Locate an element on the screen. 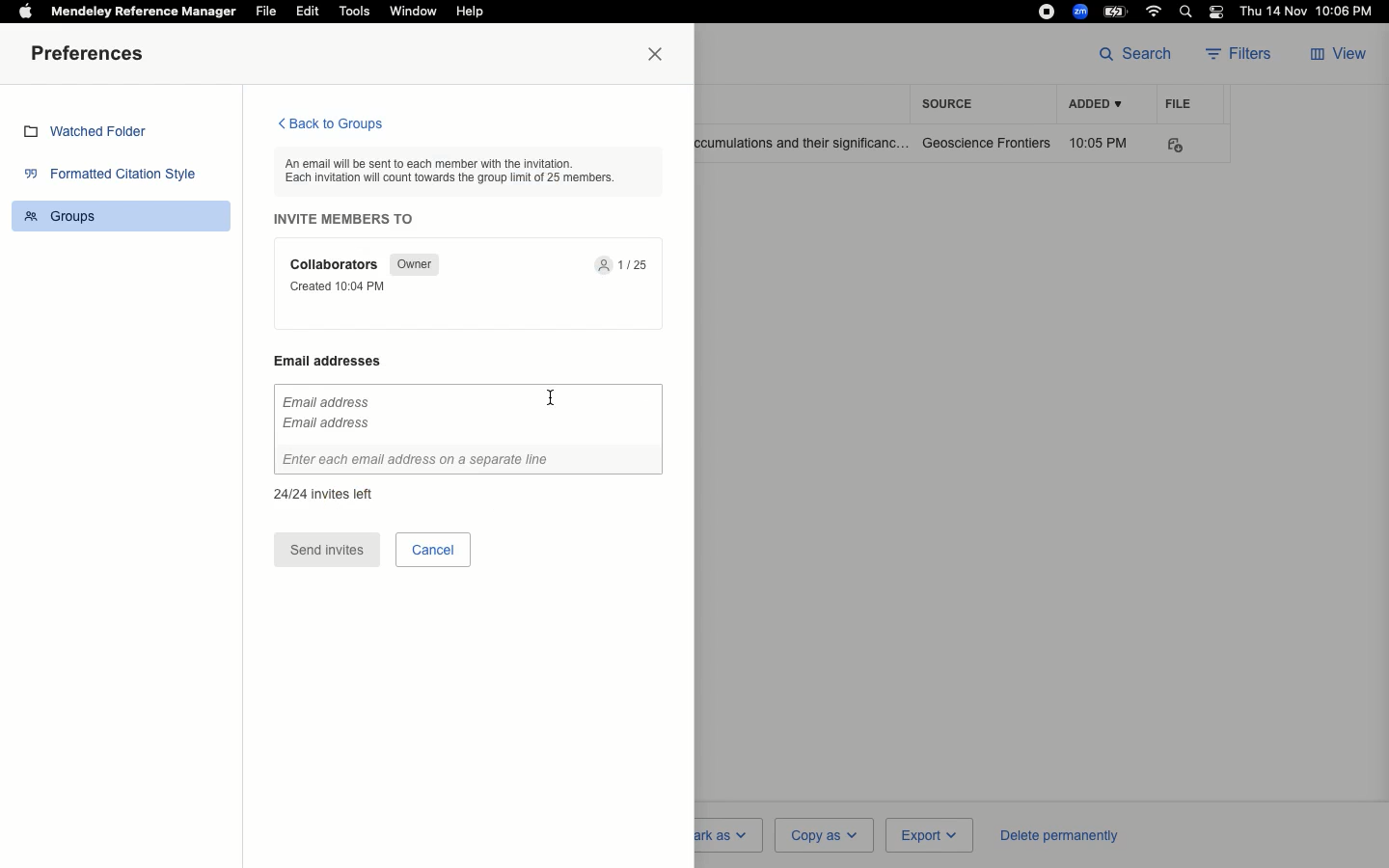  PDF is located at coordinates (1188, 146).